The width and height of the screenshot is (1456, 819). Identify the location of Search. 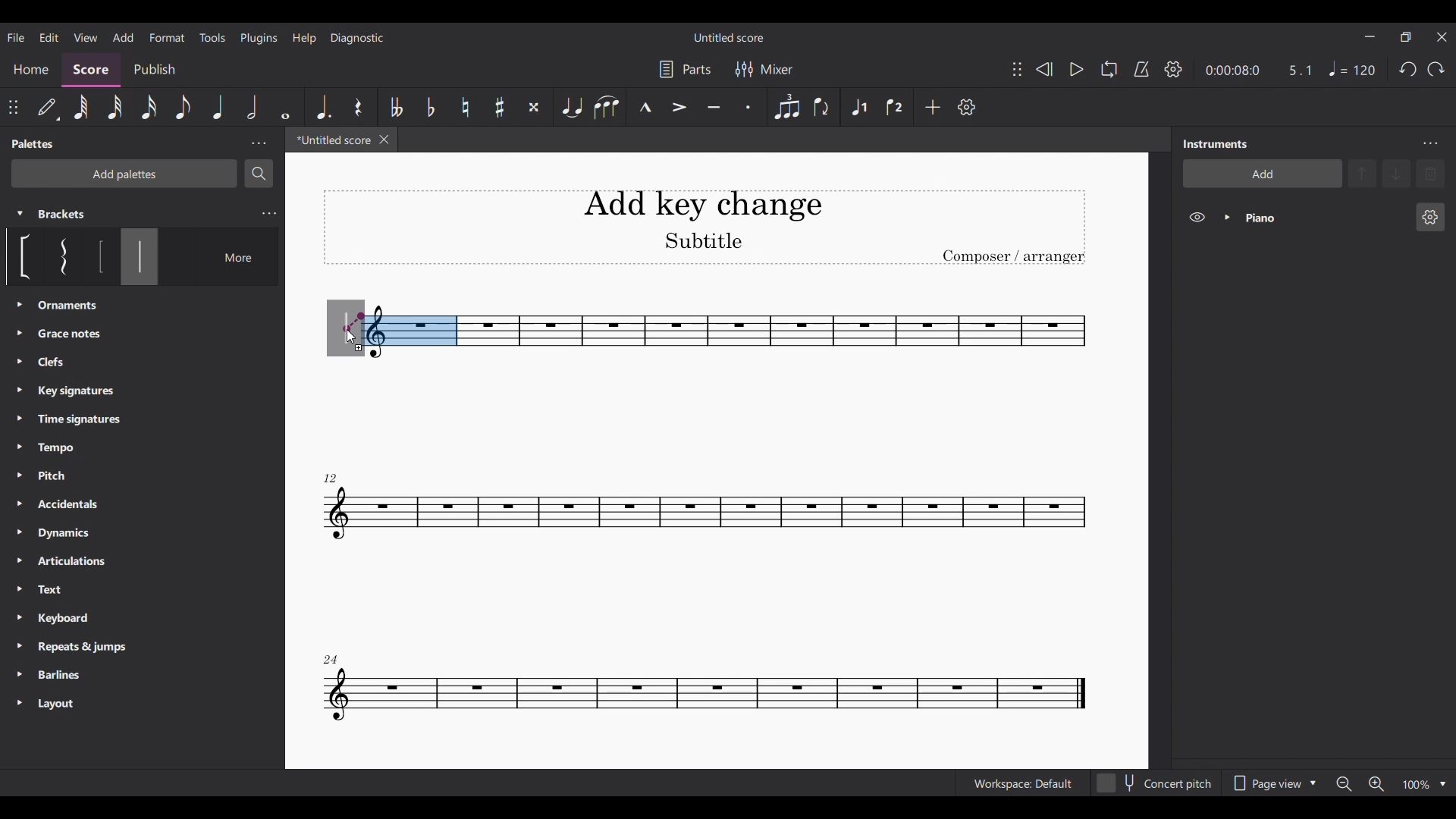
(259, 174).